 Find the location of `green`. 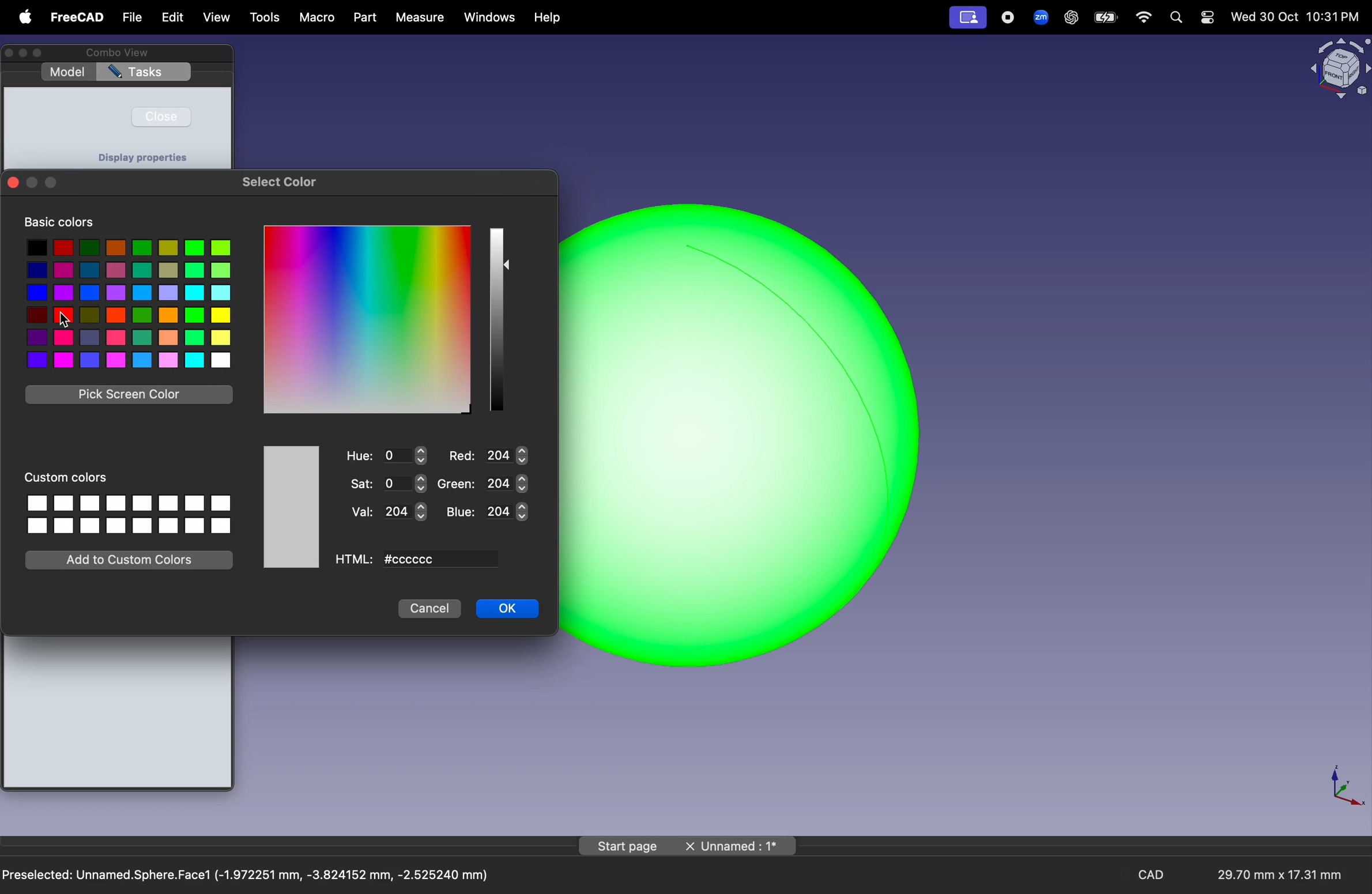

green is located at coordinates (482, 484).